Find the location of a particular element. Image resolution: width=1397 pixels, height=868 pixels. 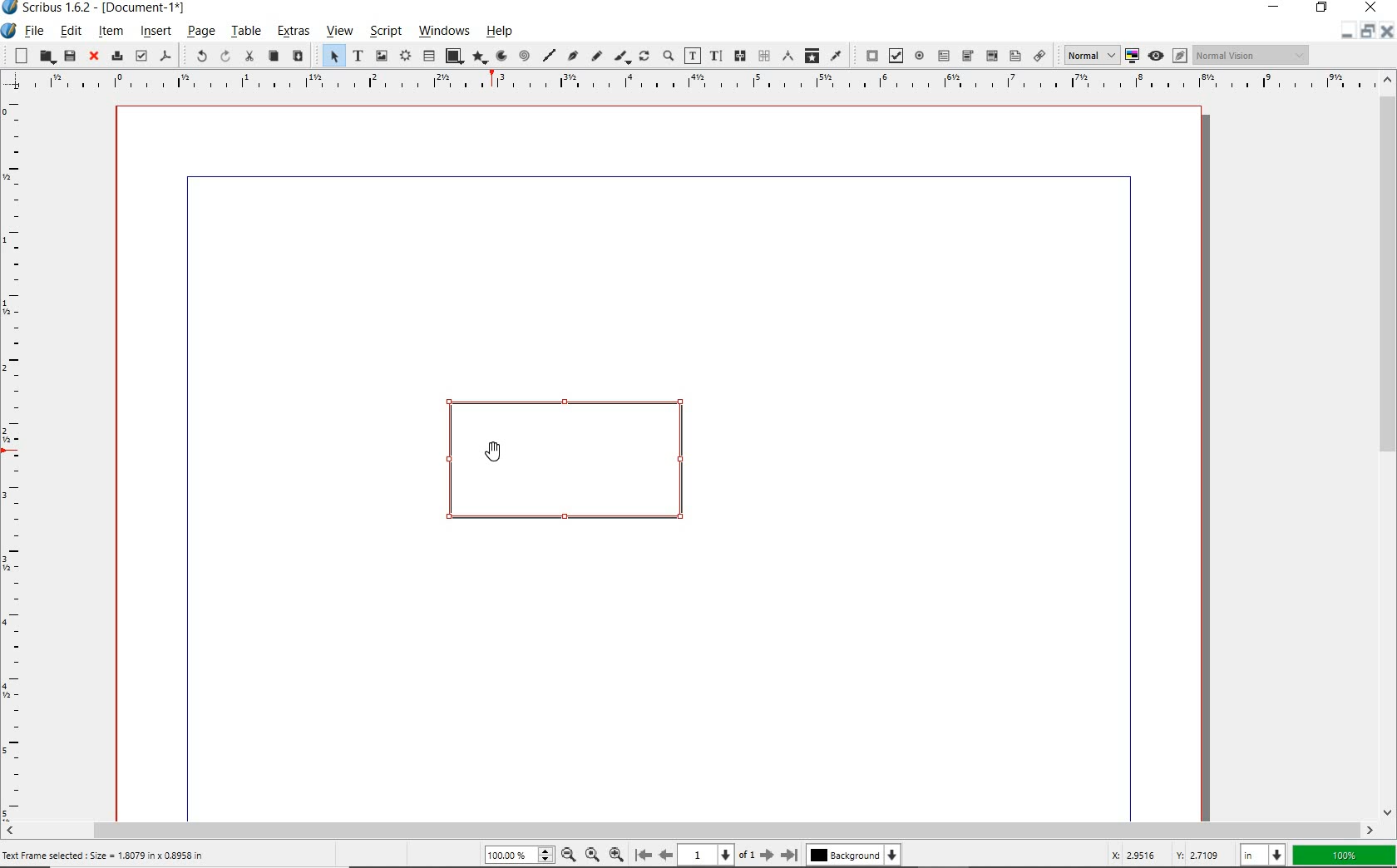

print is located at coordinates (116, 57).